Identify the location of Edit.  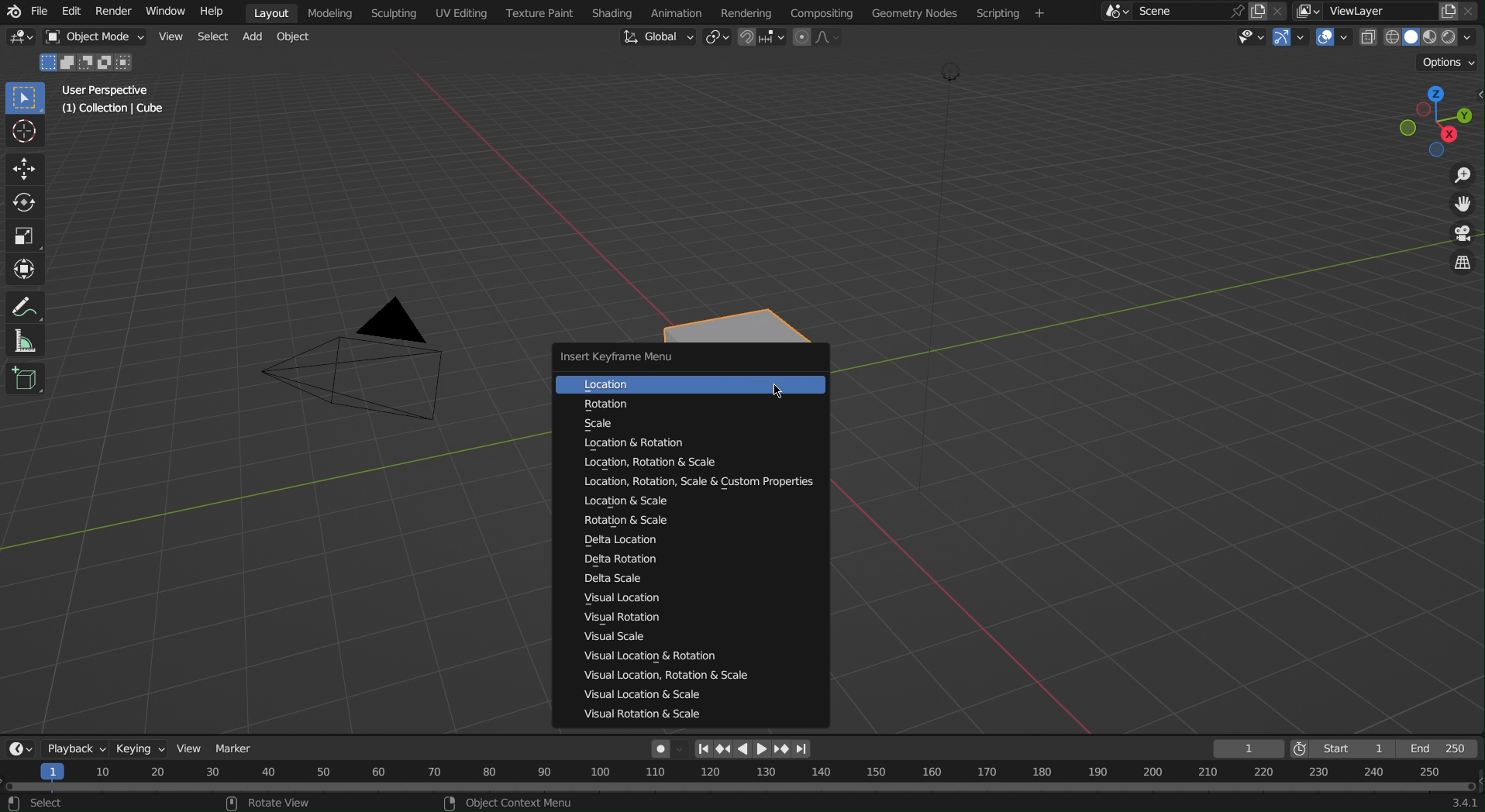
(71, 12).